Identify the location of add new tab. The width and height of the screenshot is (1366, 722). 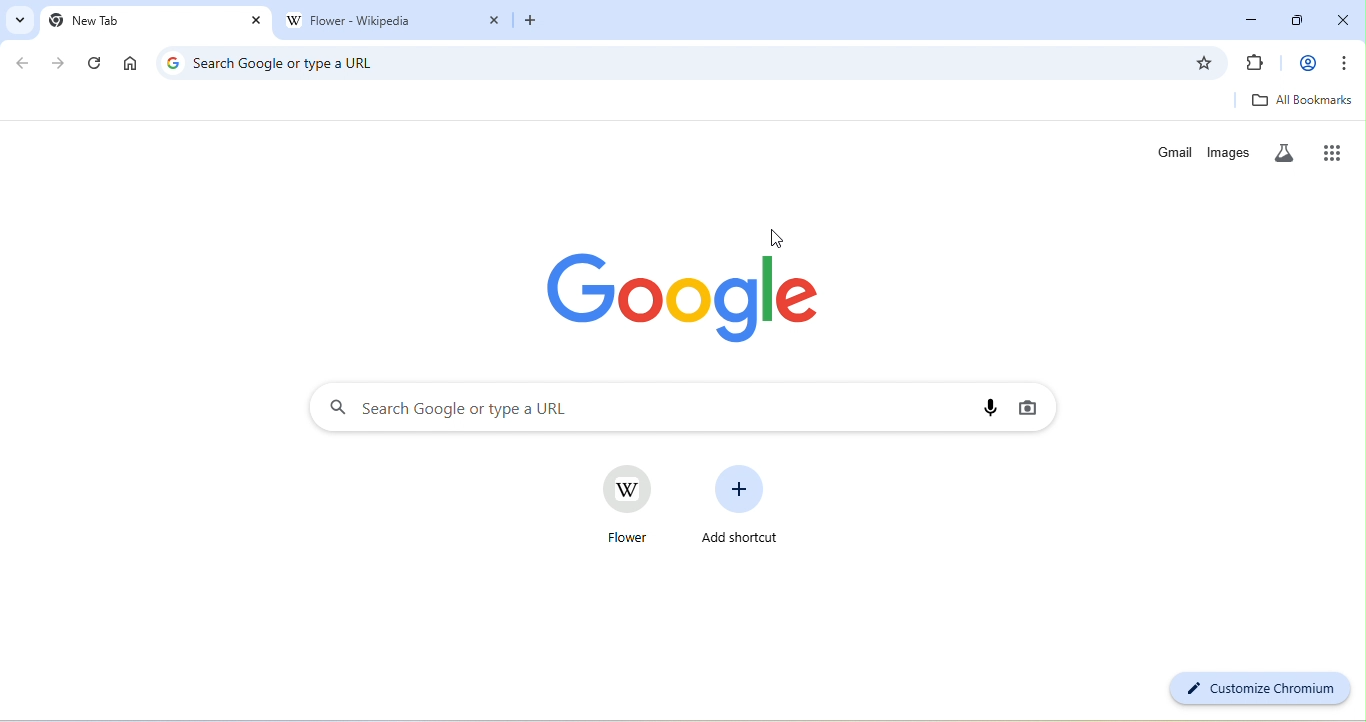
(530, 24).